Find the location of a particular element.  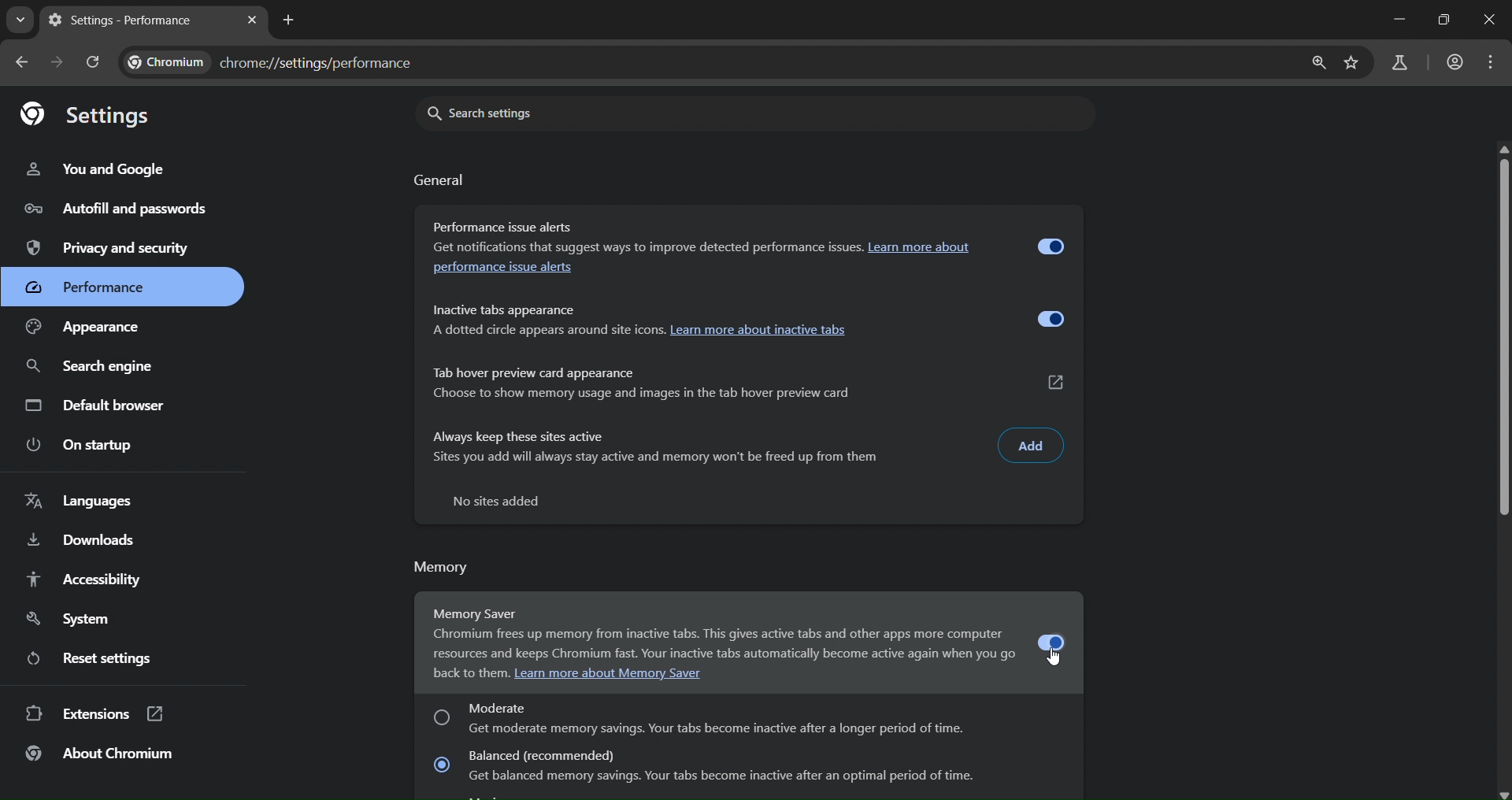

extensions is located at coordinates (95, 714).